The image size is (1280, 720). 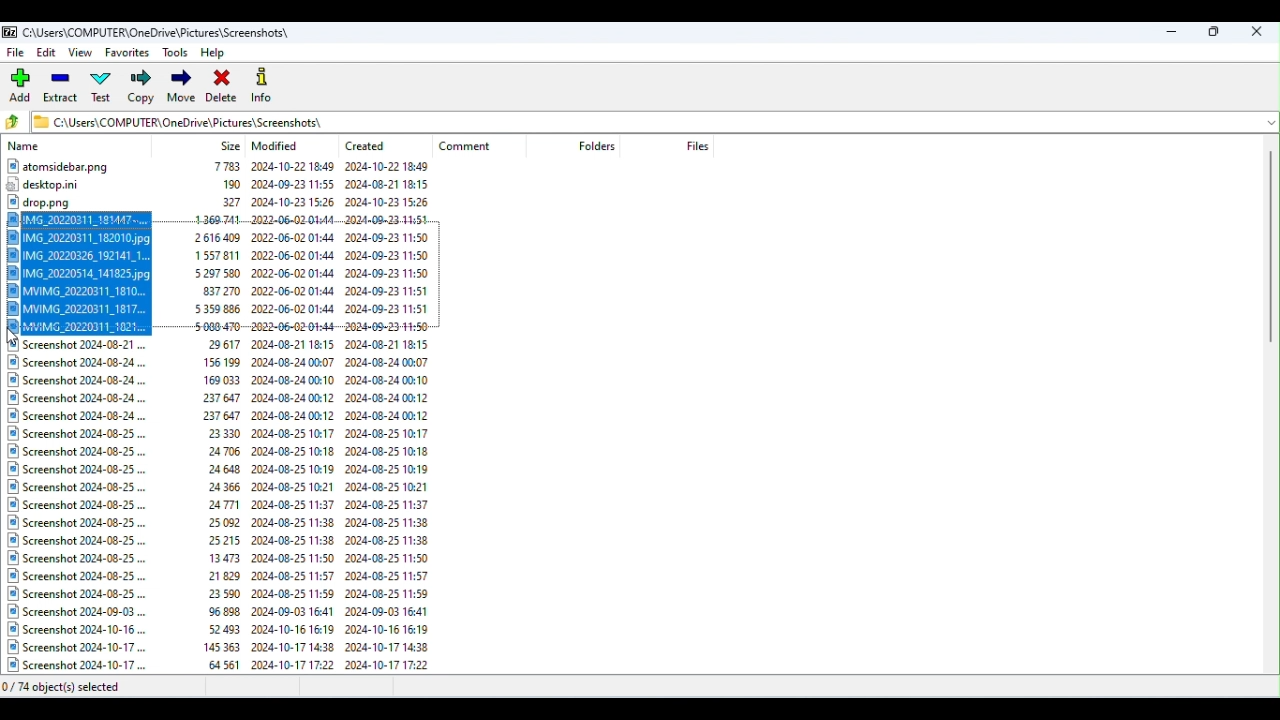 I want to click on Files, so click(x=227, y=183).